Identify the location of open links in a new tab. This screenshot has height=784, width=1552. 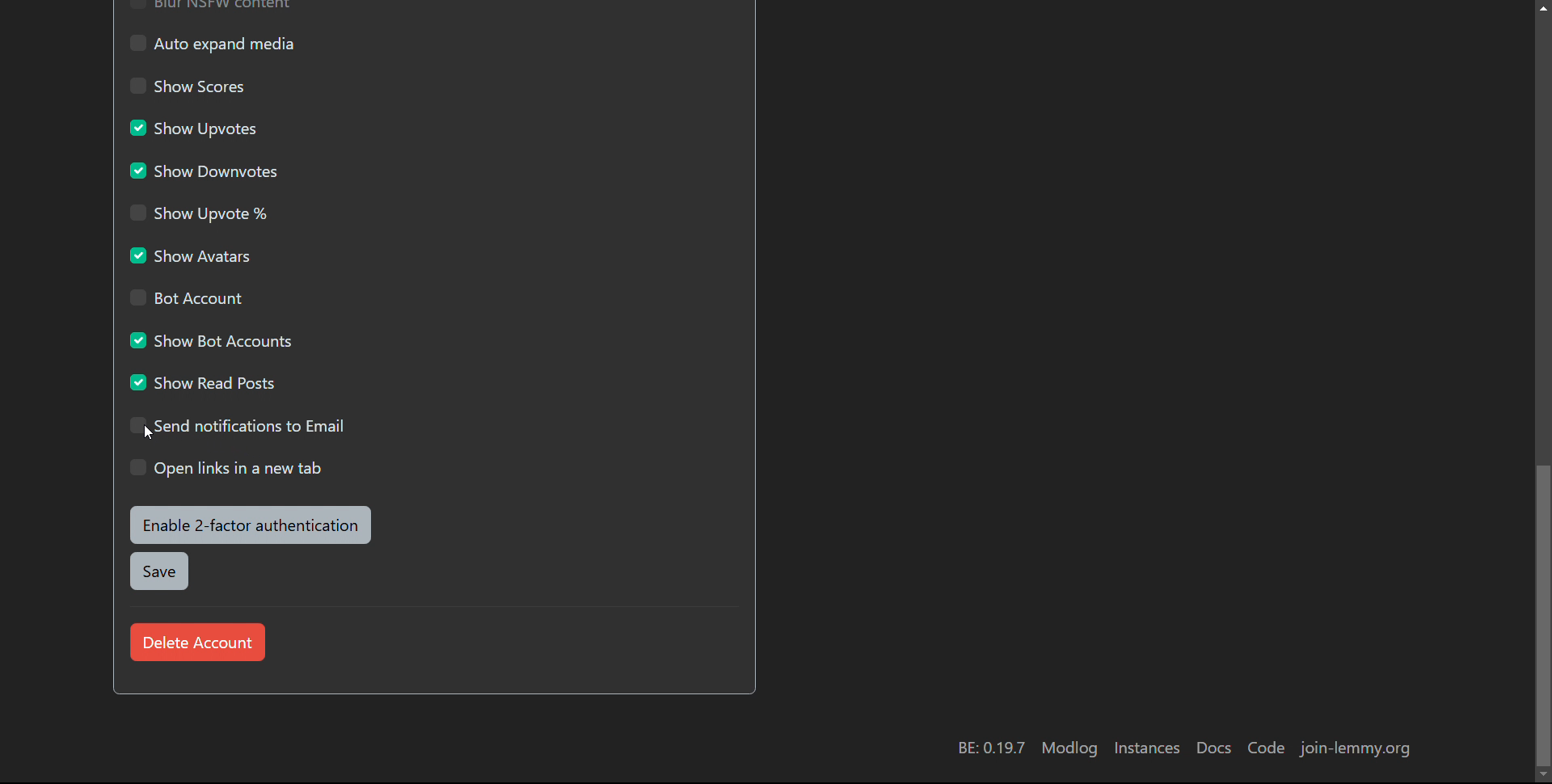
(227, 468).